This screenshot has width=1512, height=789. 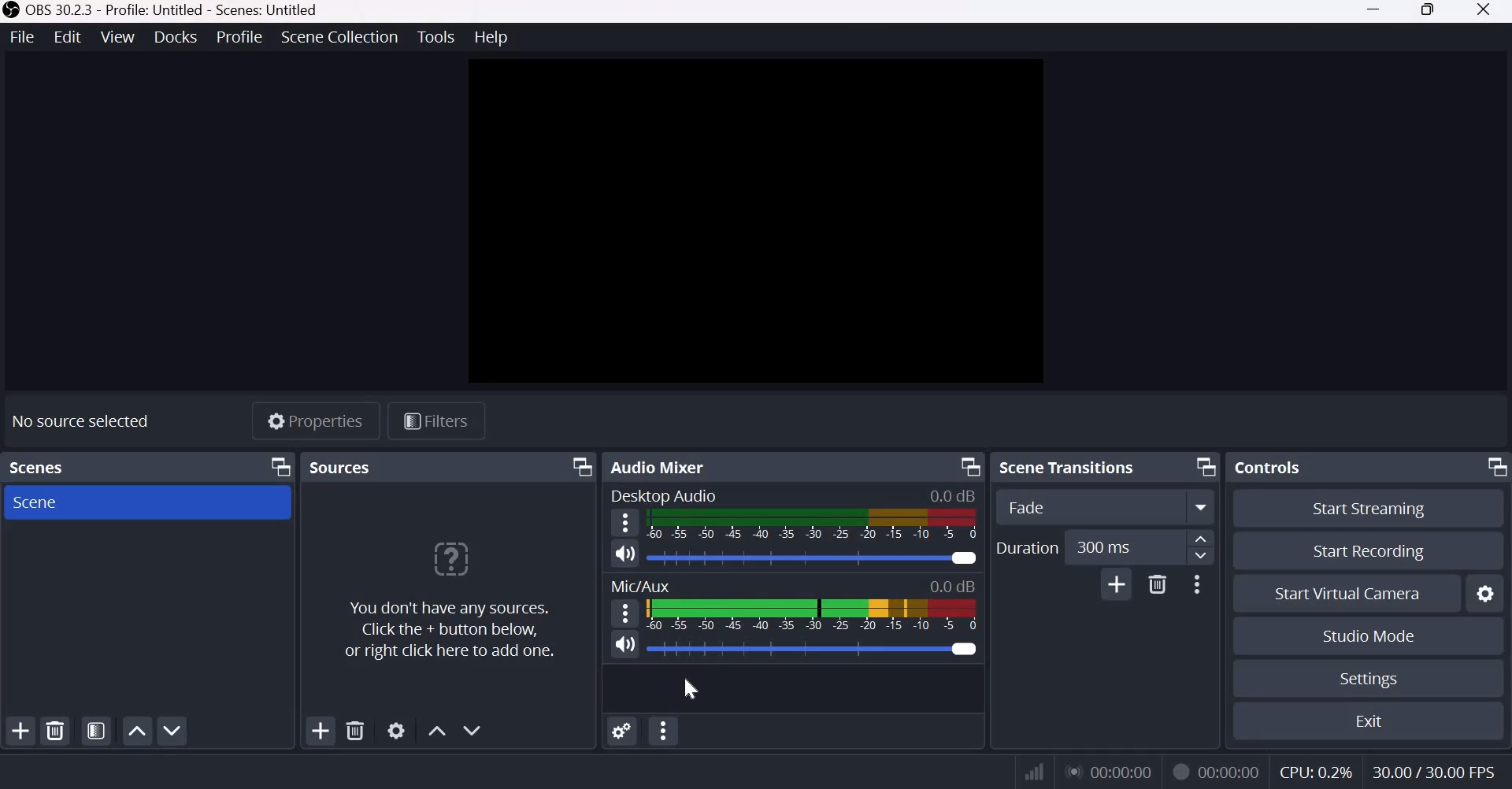 What do you see at coordinates (1369, 635) in the screenshot?
I see `Studio Mode` at bounding box center [1369, 635].